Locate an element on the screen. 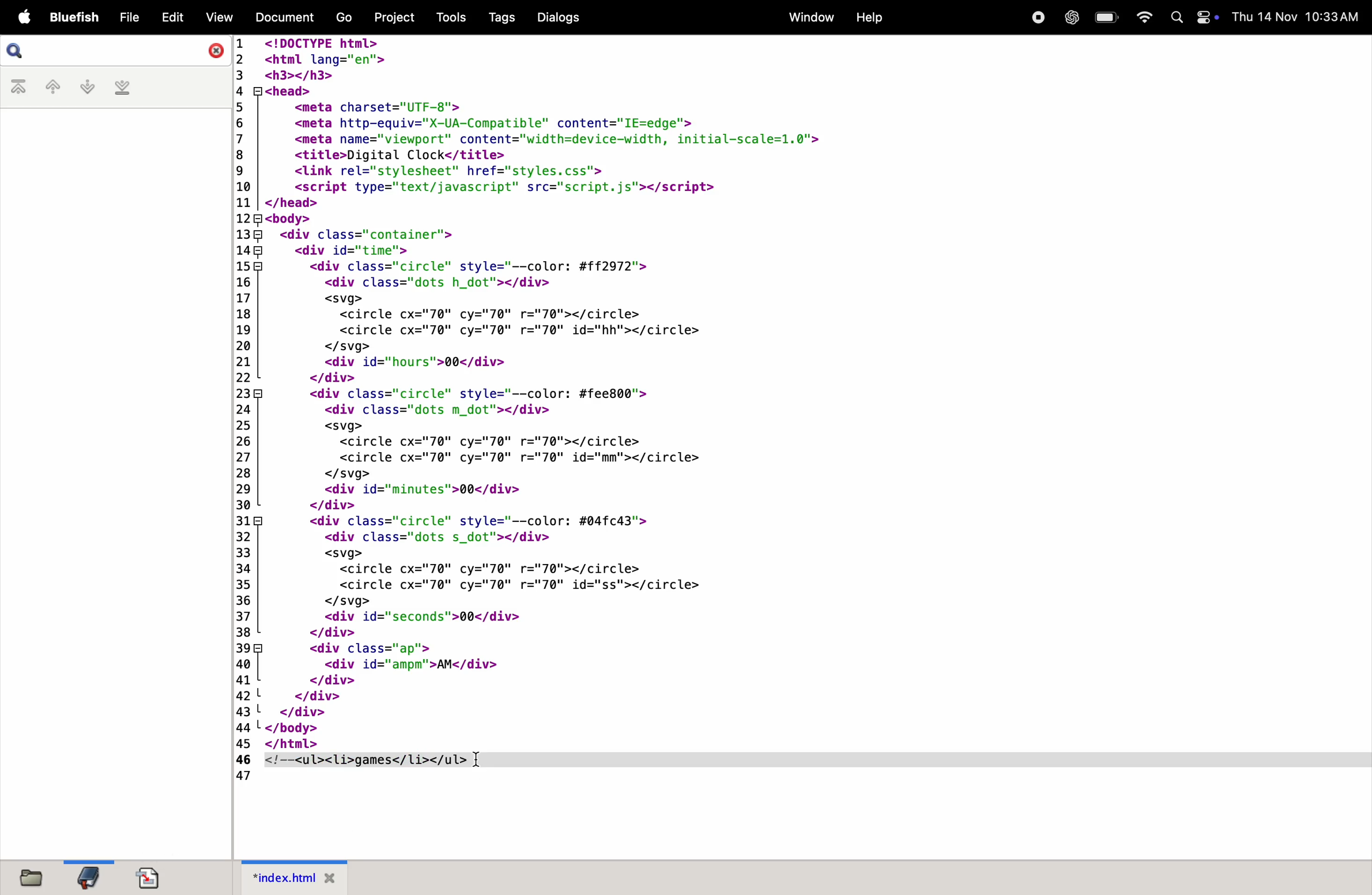 This screenshot has width=1372, height=895. Apple menu is located at coordinates (22, 16).